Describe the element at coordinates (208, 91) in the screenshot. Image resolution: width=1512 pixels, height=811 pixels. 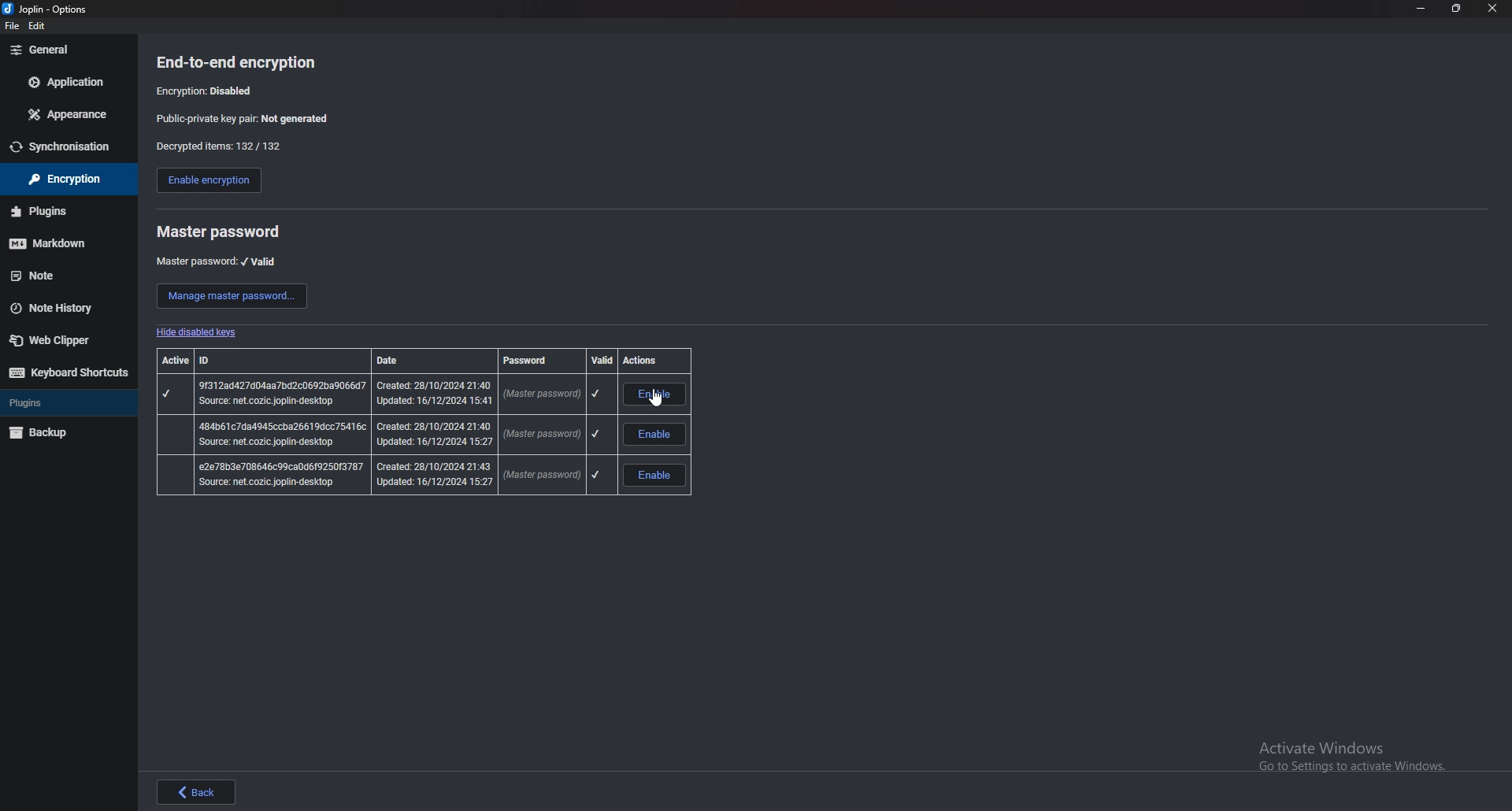
I see `encryption` at that location.